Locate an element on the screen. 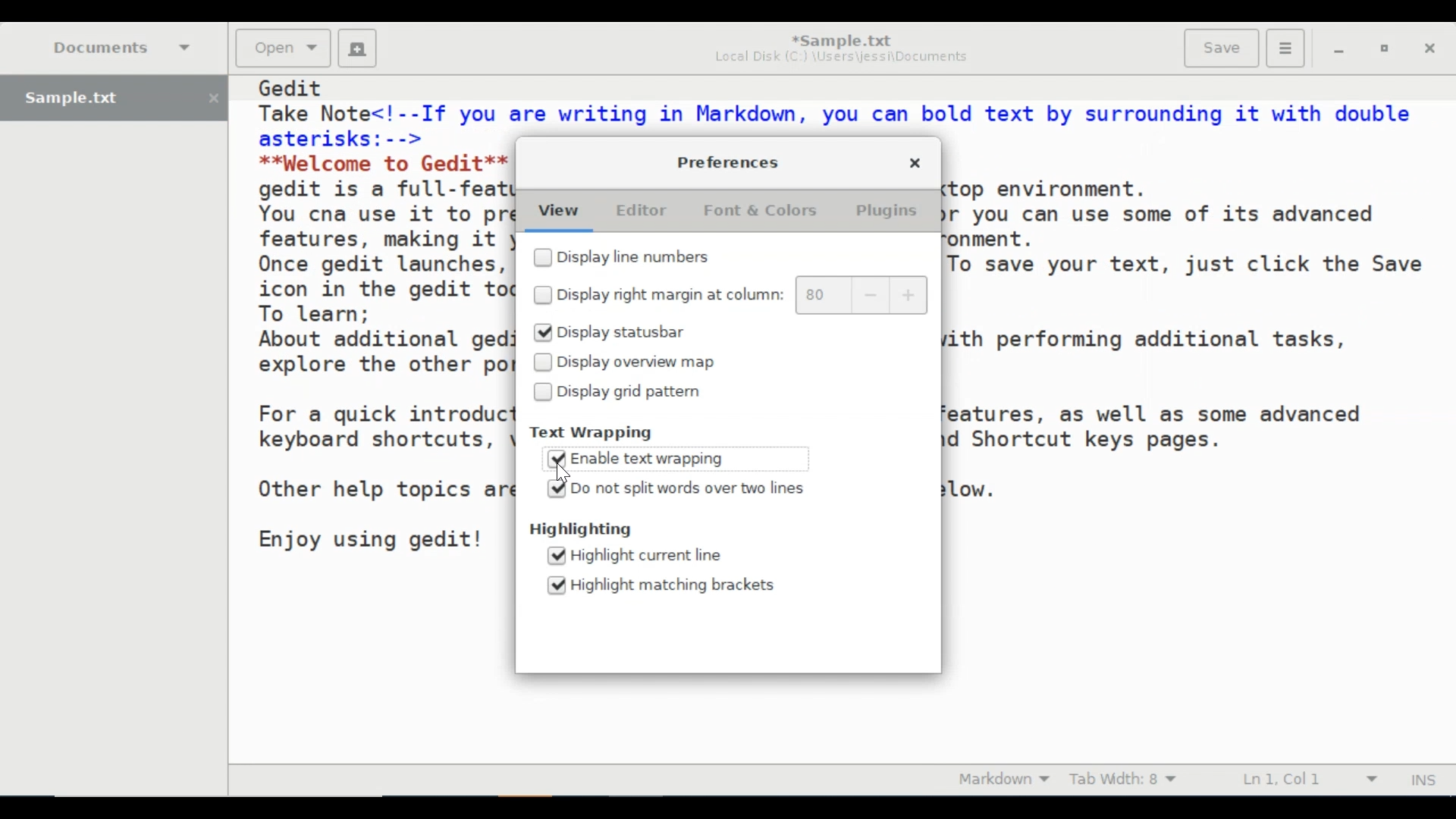  Line & Column Preference is located at coordinates (1305, 778).